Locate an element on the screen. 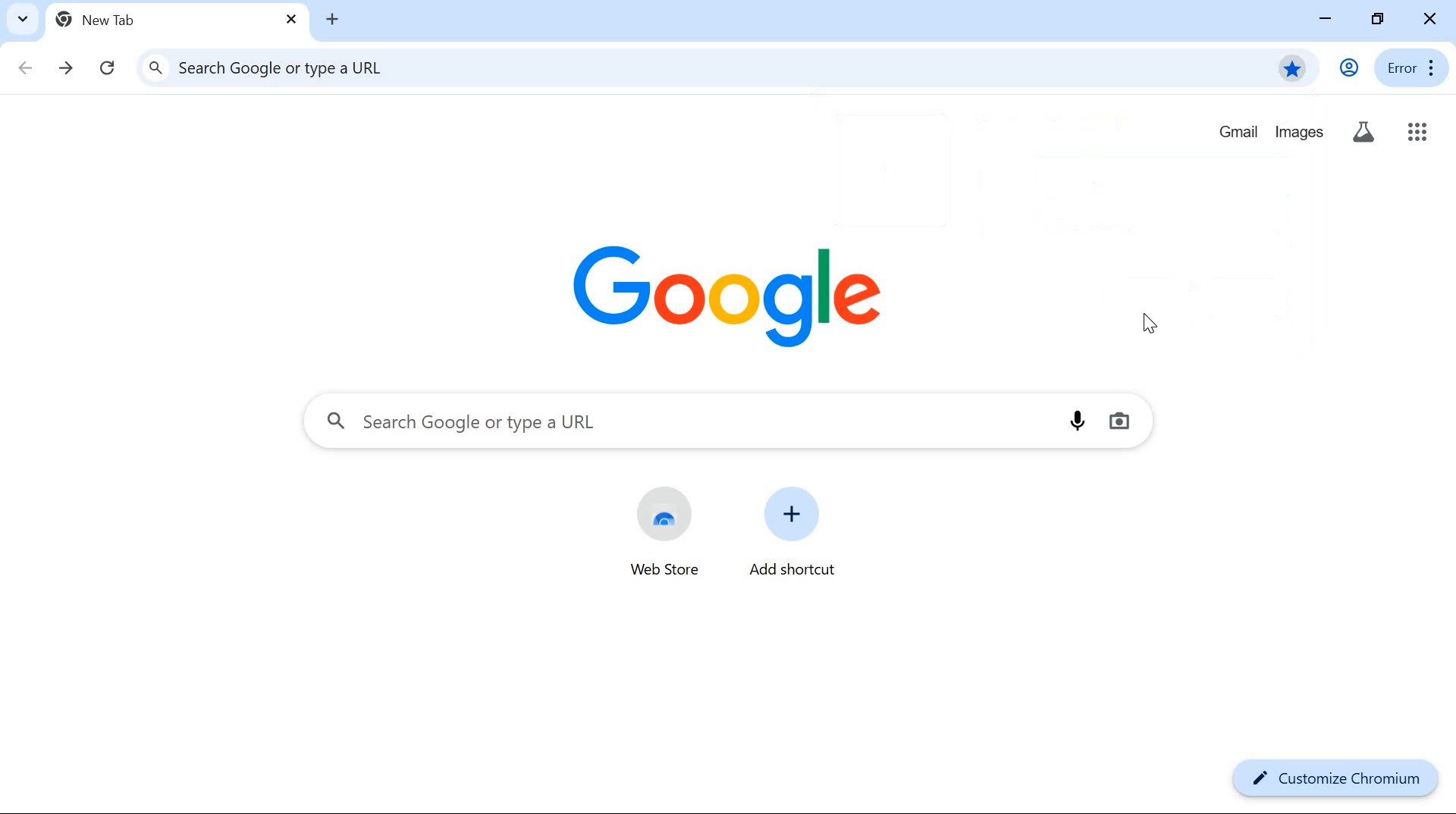 Image resolution: width=1456 pixels, height=814 pixels. customize chromium is located at coordinates (1333, 781).